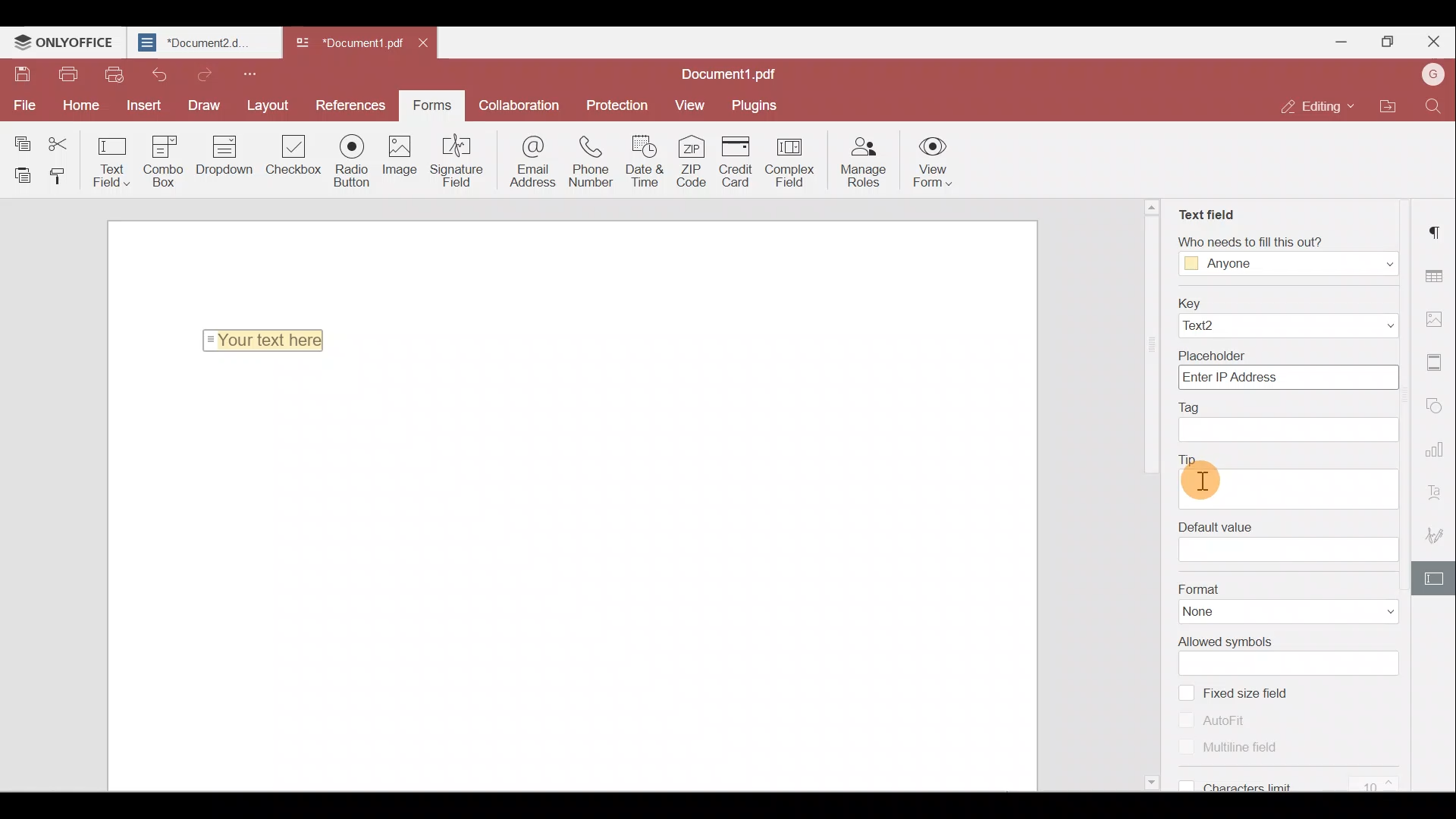 The width and height of the screenshot is (1456, 819). What do you see at coordinates (1279, 239) in the screenshot?
I see `Who needs to fill this out?` at bounding box center [1279, 239].